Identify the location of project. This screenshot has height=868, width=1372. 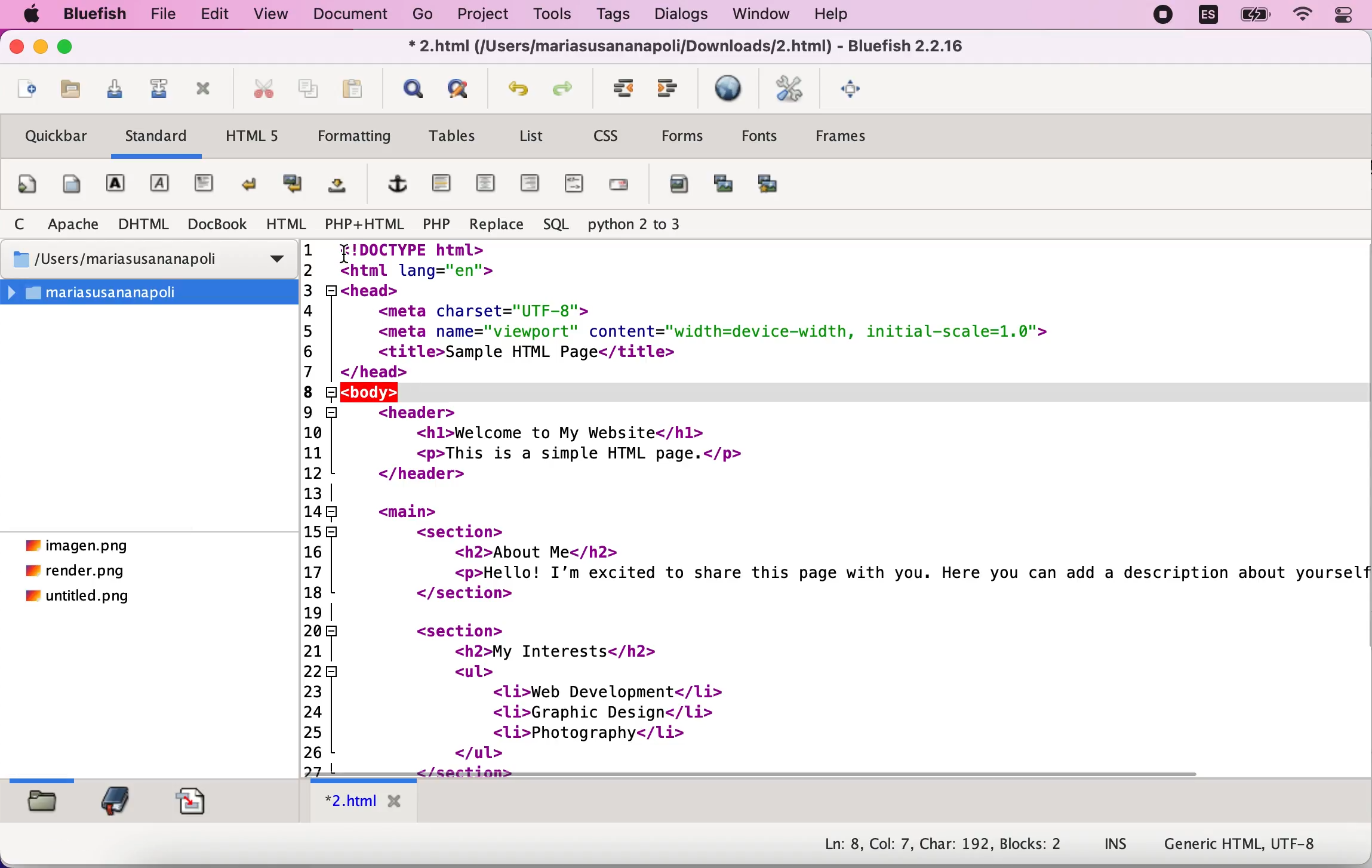
(485, 15).